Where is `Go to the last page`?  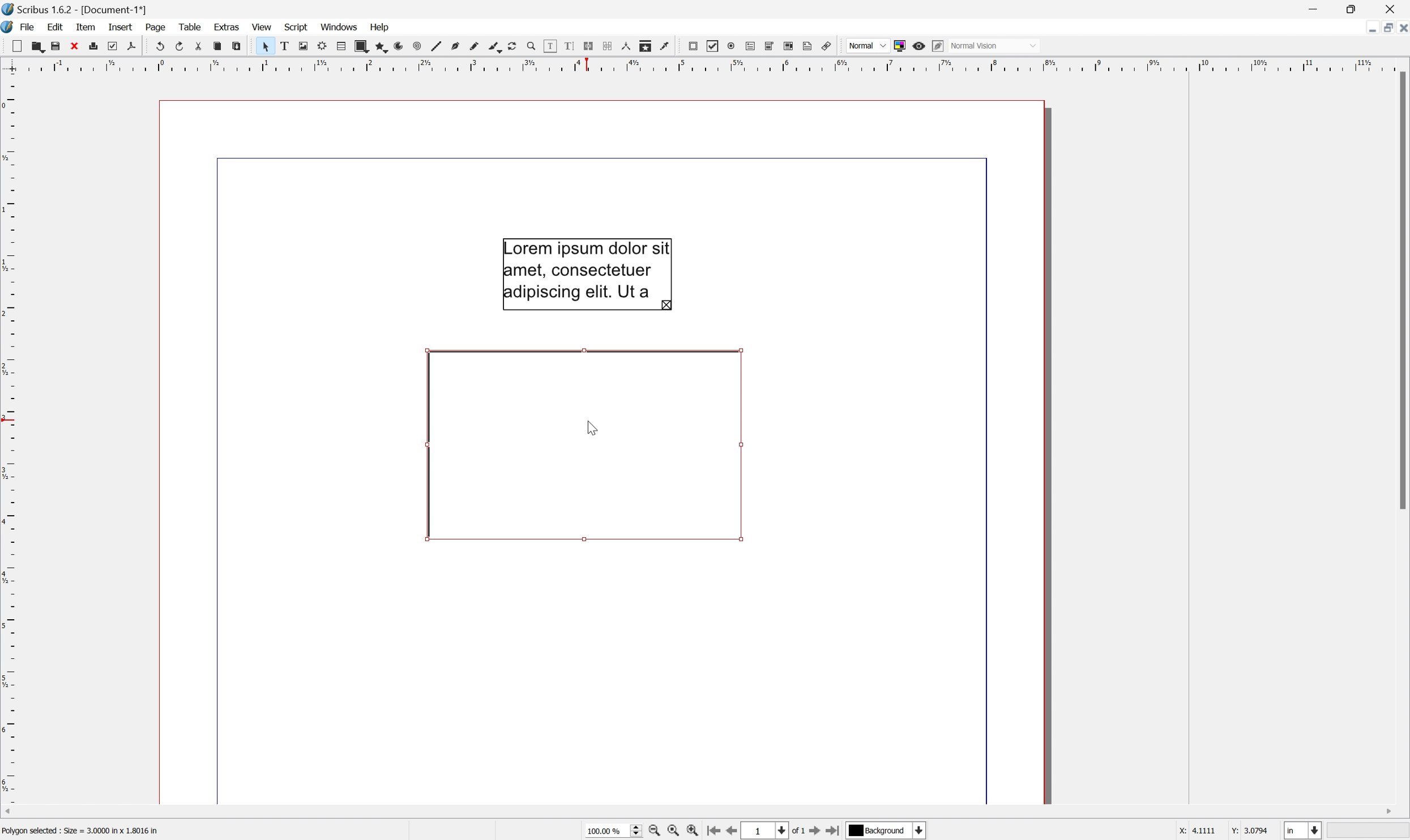 Go to the last page is located at coordinates (836, 831).